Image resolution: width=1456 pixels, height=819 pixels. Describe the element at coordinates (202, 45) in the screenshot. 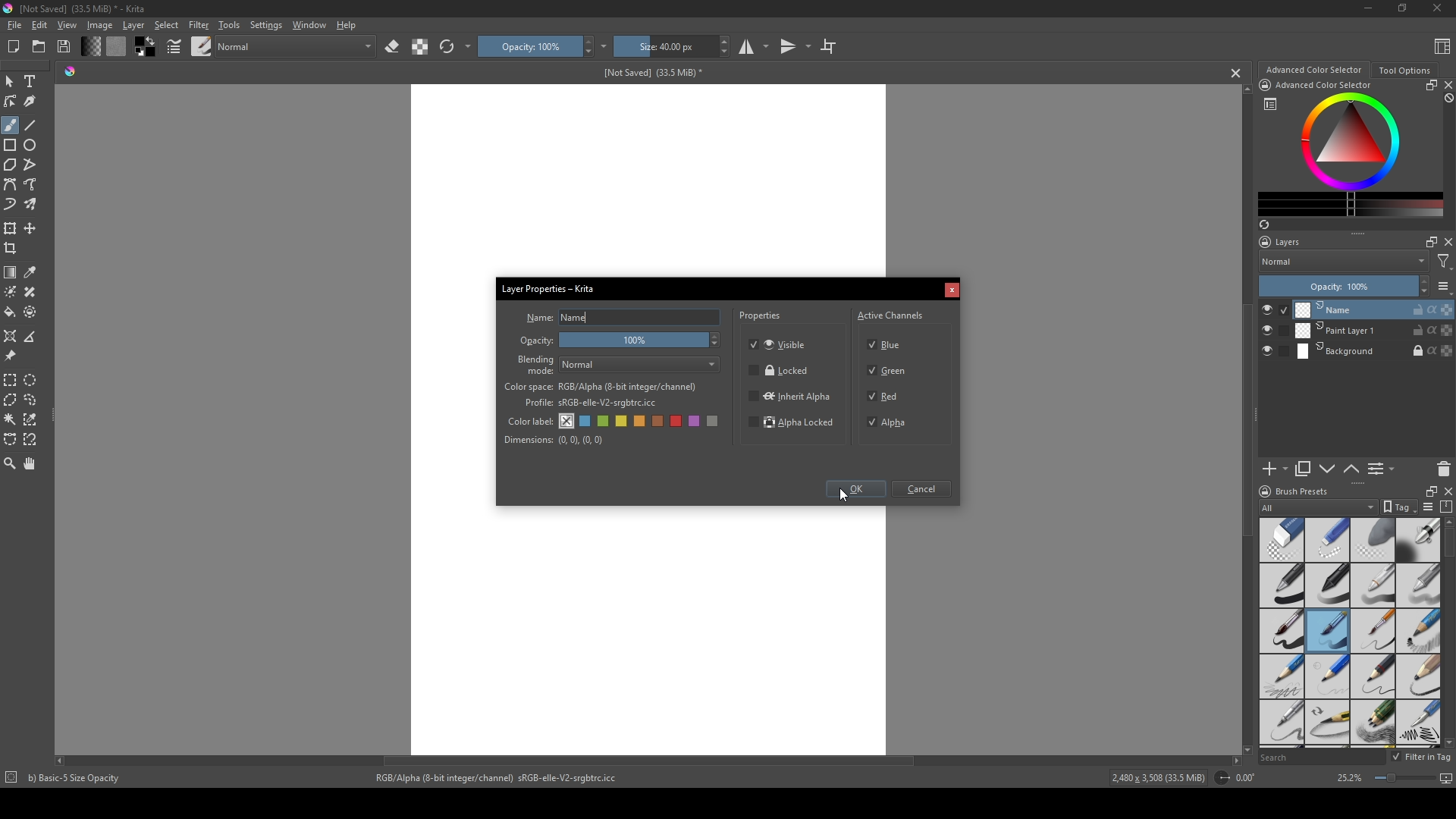

I see `brush` at that location.